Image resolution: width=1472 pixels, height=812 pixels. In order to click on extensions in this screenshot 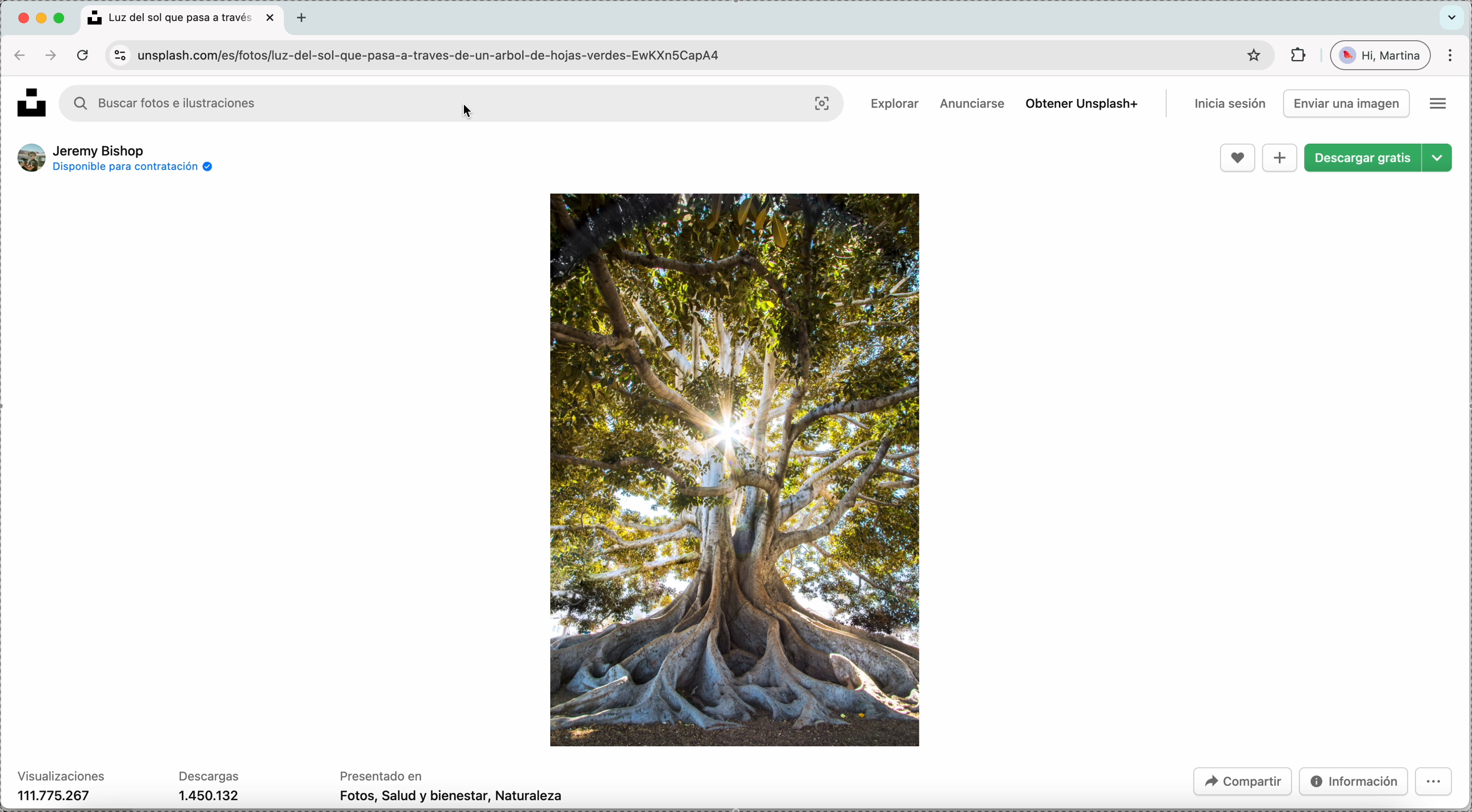, I will do `click(1297, 56)`.